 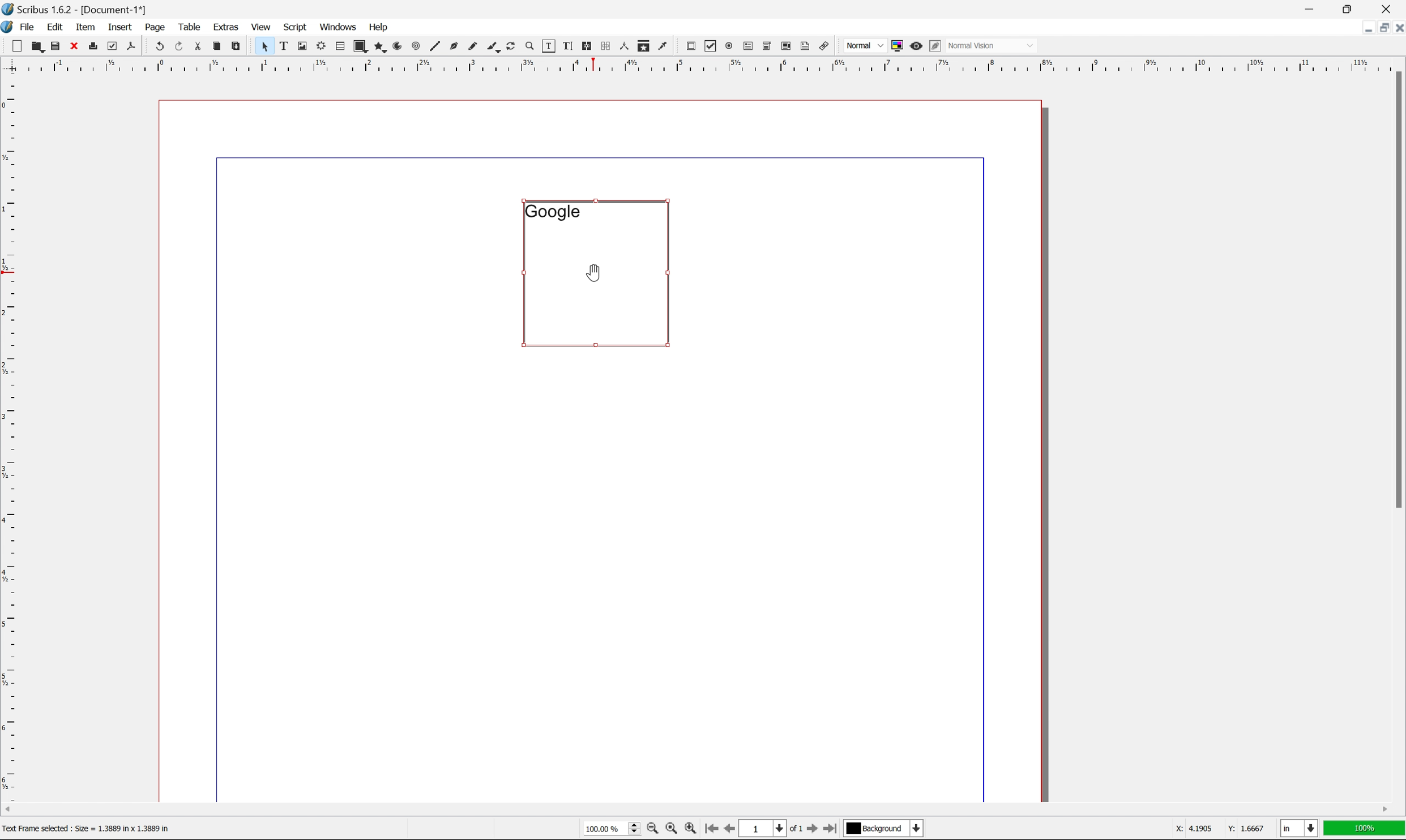 What do you see at coordinates (295, 27) in the screenshot?
I see `script` at bounding box center [295, 27].